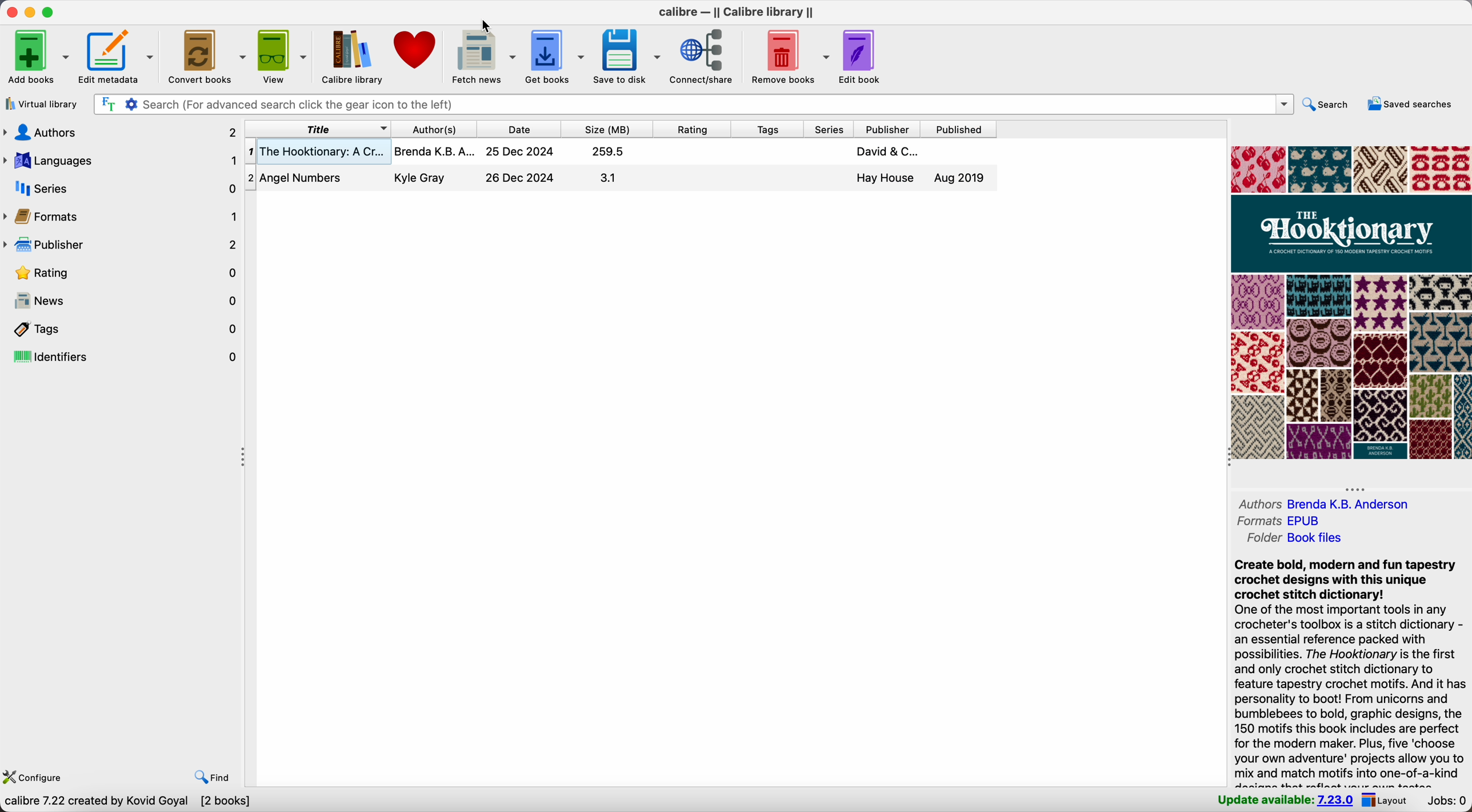  What do you see at coordinates (49, 13) in the screenshot?
I see `maximize` at bounding box center [49, 13].